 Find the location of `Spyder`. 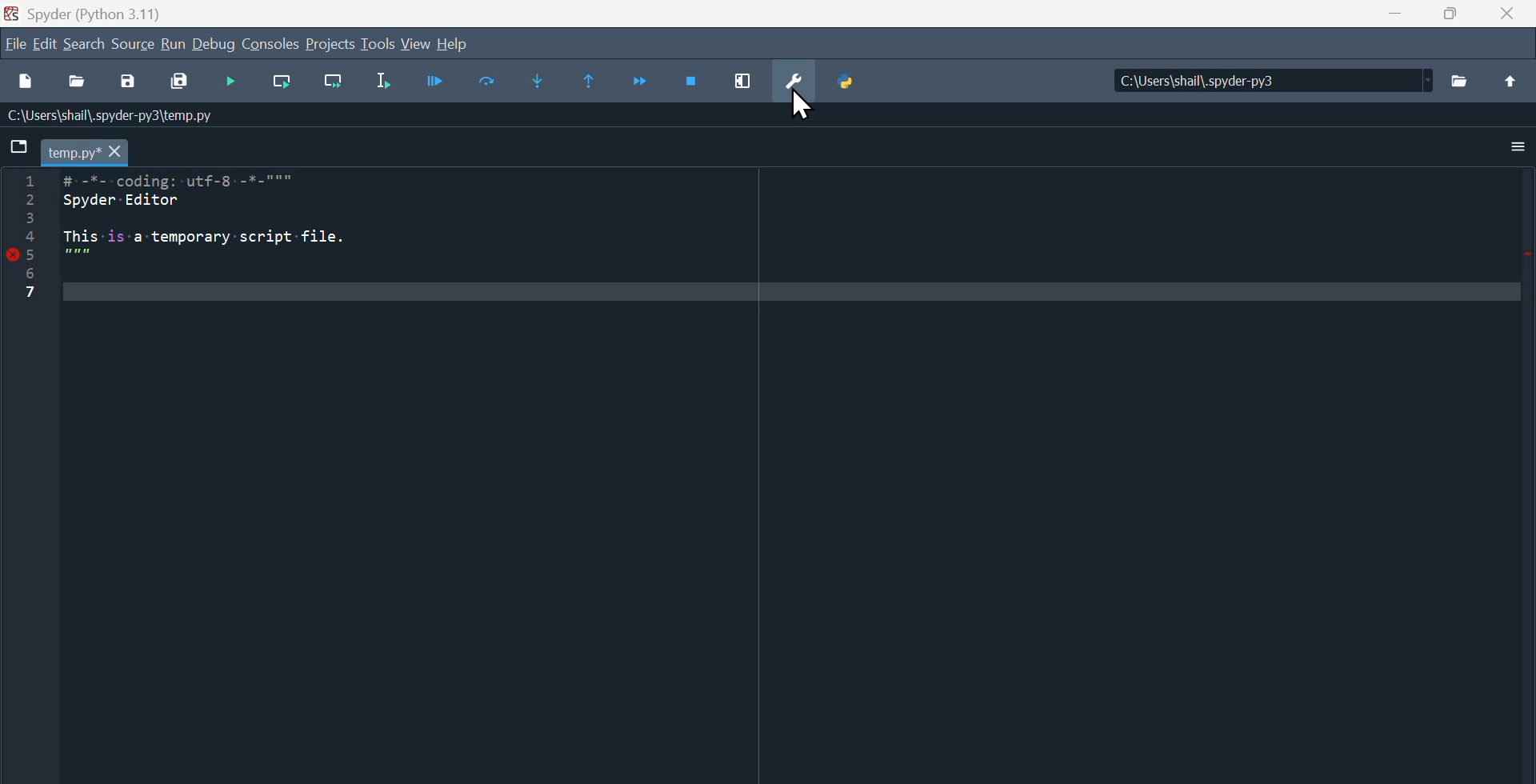

Spyder is located at coordinates (99, 13).